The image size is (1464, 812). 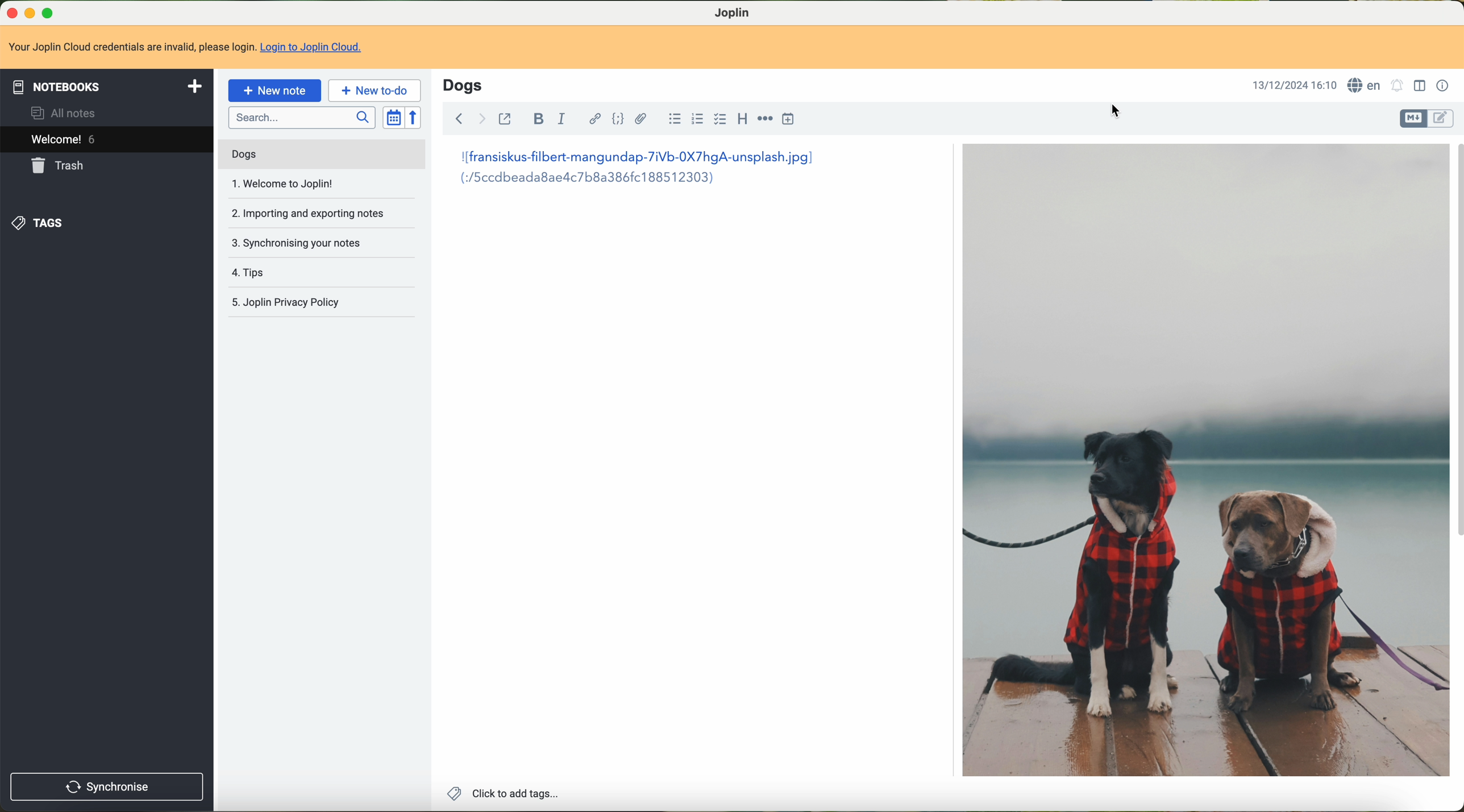 What do you see at coordinates (1365, 85) in the screenshot?
I see `language` at bounding box center [1365, 85].